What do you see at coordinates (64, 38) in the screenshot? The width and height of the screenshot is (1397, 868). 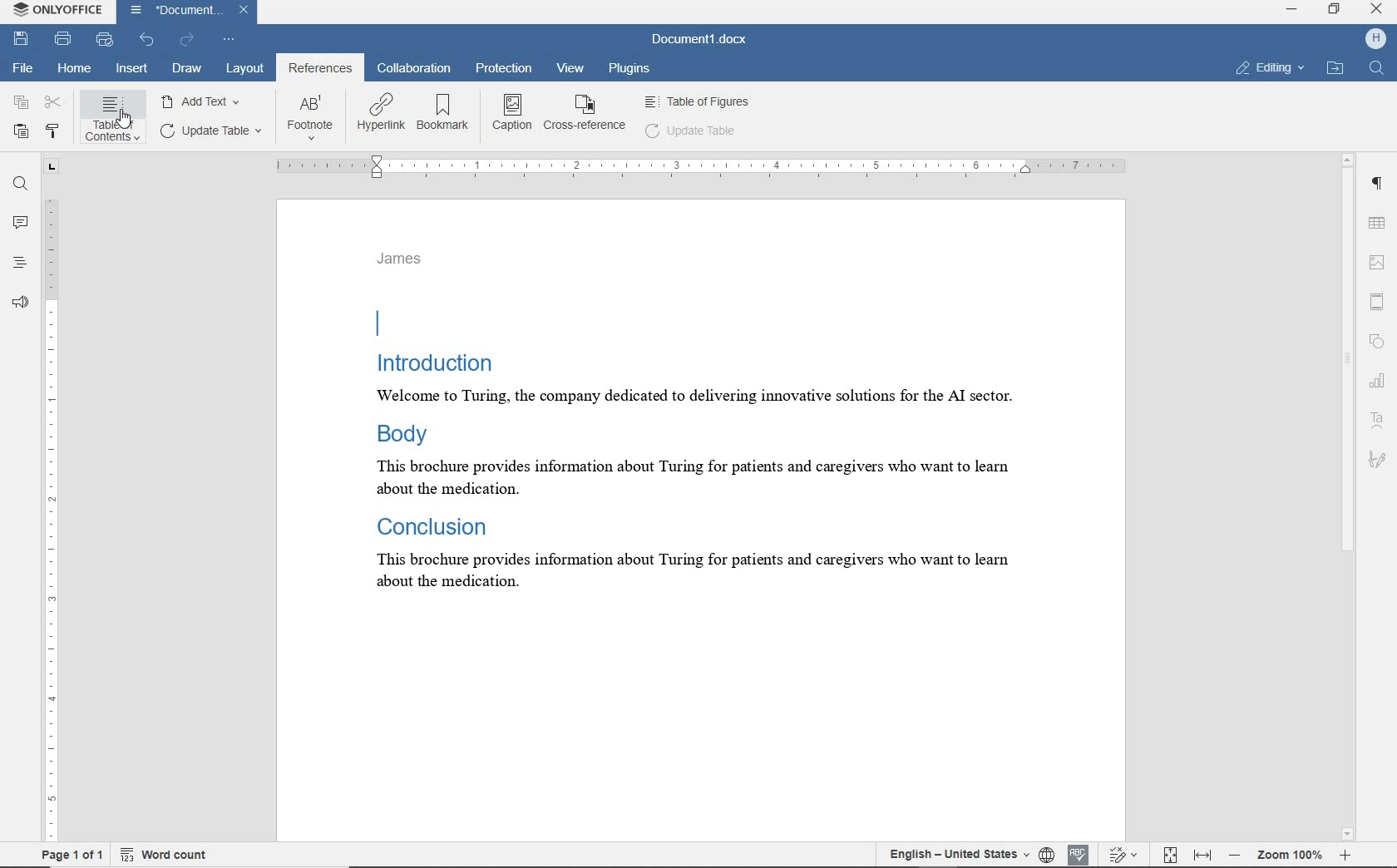 I see `print` at bounding box center [64, 38].